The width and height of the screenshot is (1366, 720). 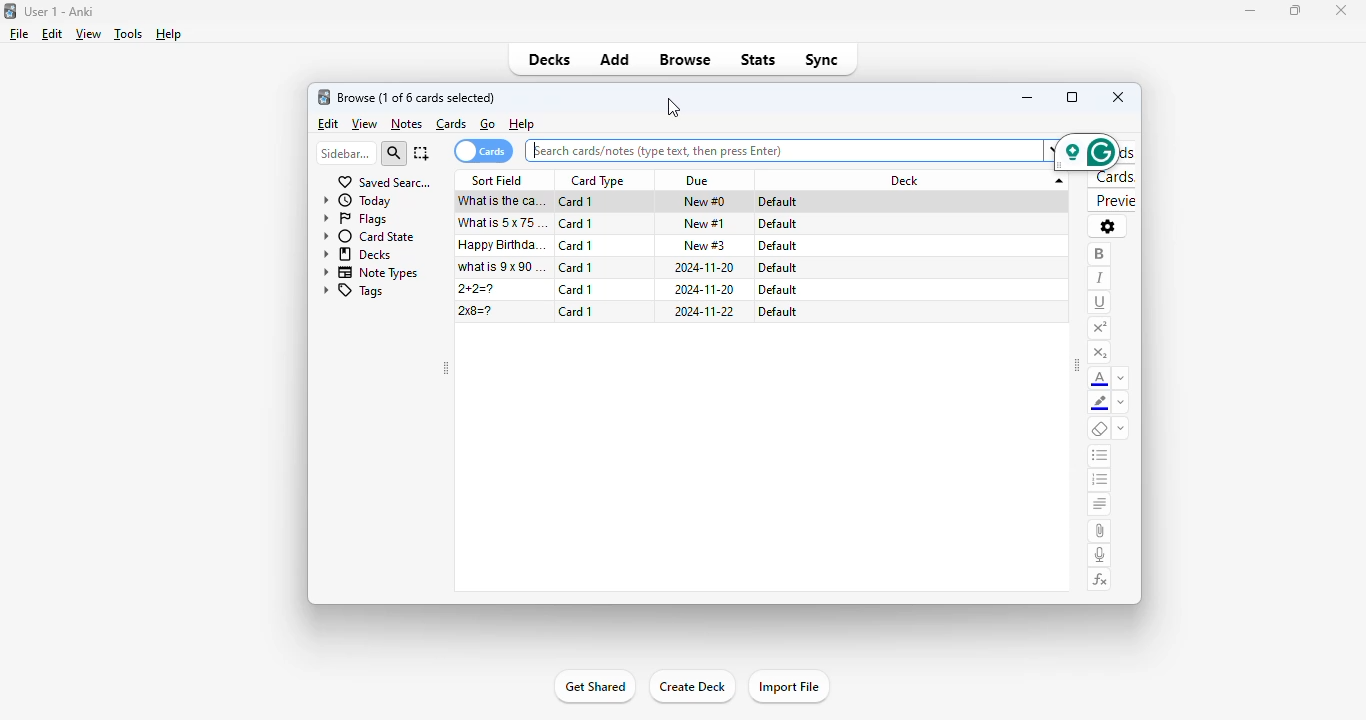 What do you see at coordinates (824, 61) in the screenshot?
I see `sync` at bounding box center [824, 61].